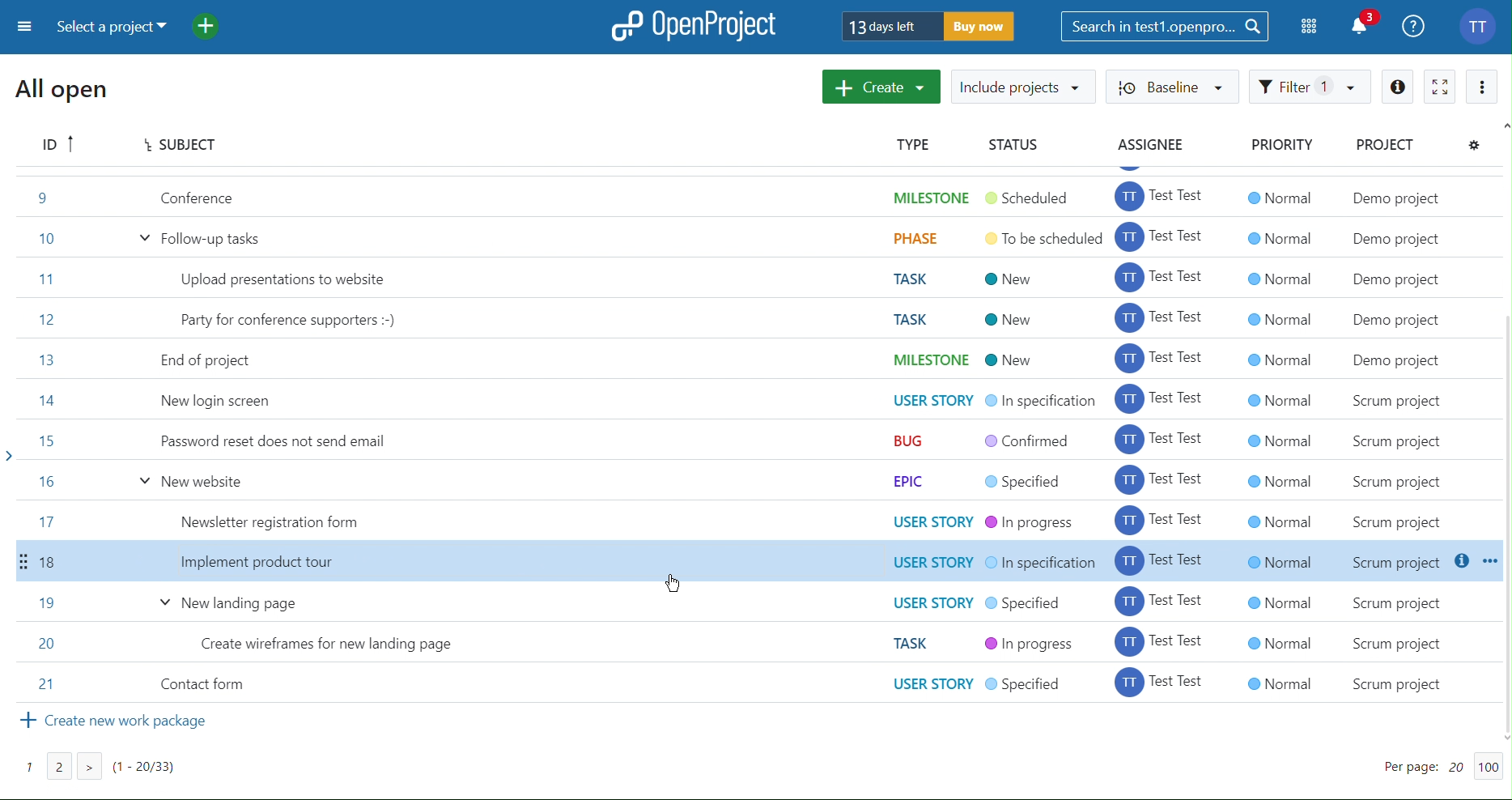 The image size is (1512, 800). What do you see at coordinates (1480, 24) in the screenshot?
I see `Account` at bounding box center [1480, 24].